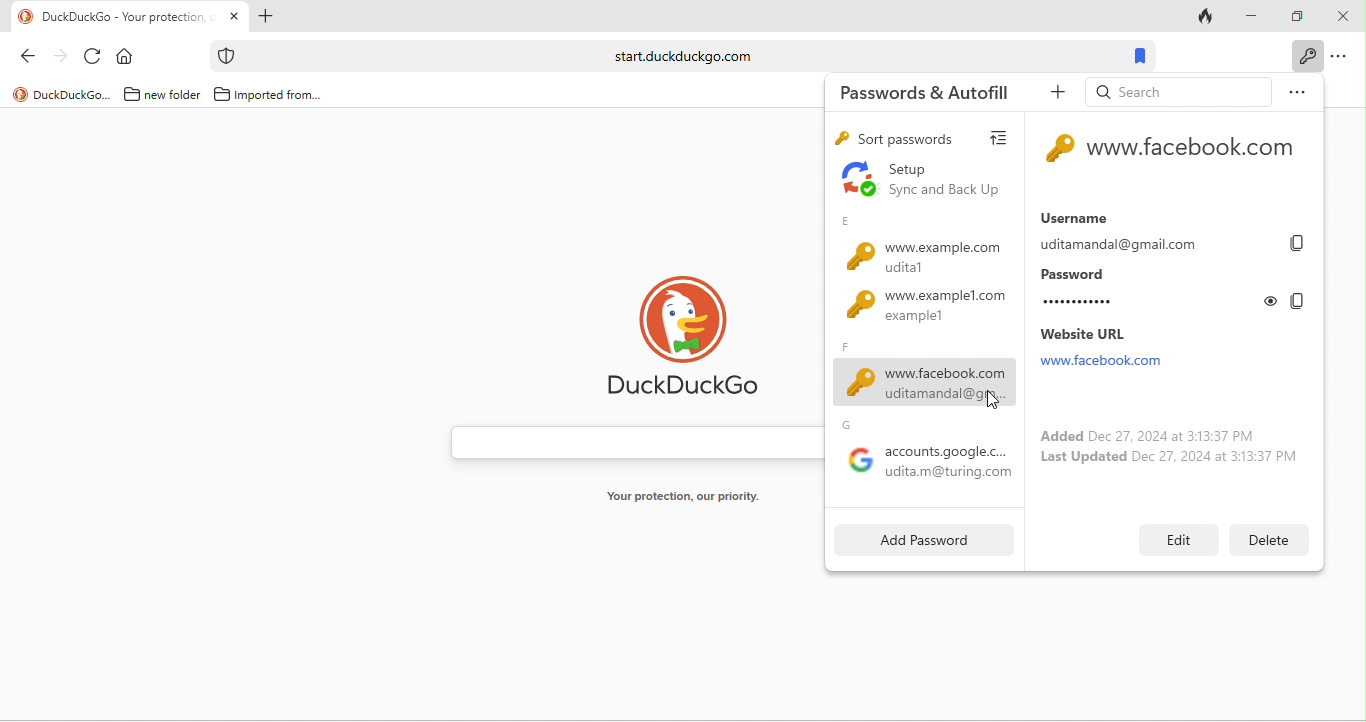  What do you see at coordinates (1207, 20) in the screenshot?
I see `track tab` at bounding box center [1207, 20].